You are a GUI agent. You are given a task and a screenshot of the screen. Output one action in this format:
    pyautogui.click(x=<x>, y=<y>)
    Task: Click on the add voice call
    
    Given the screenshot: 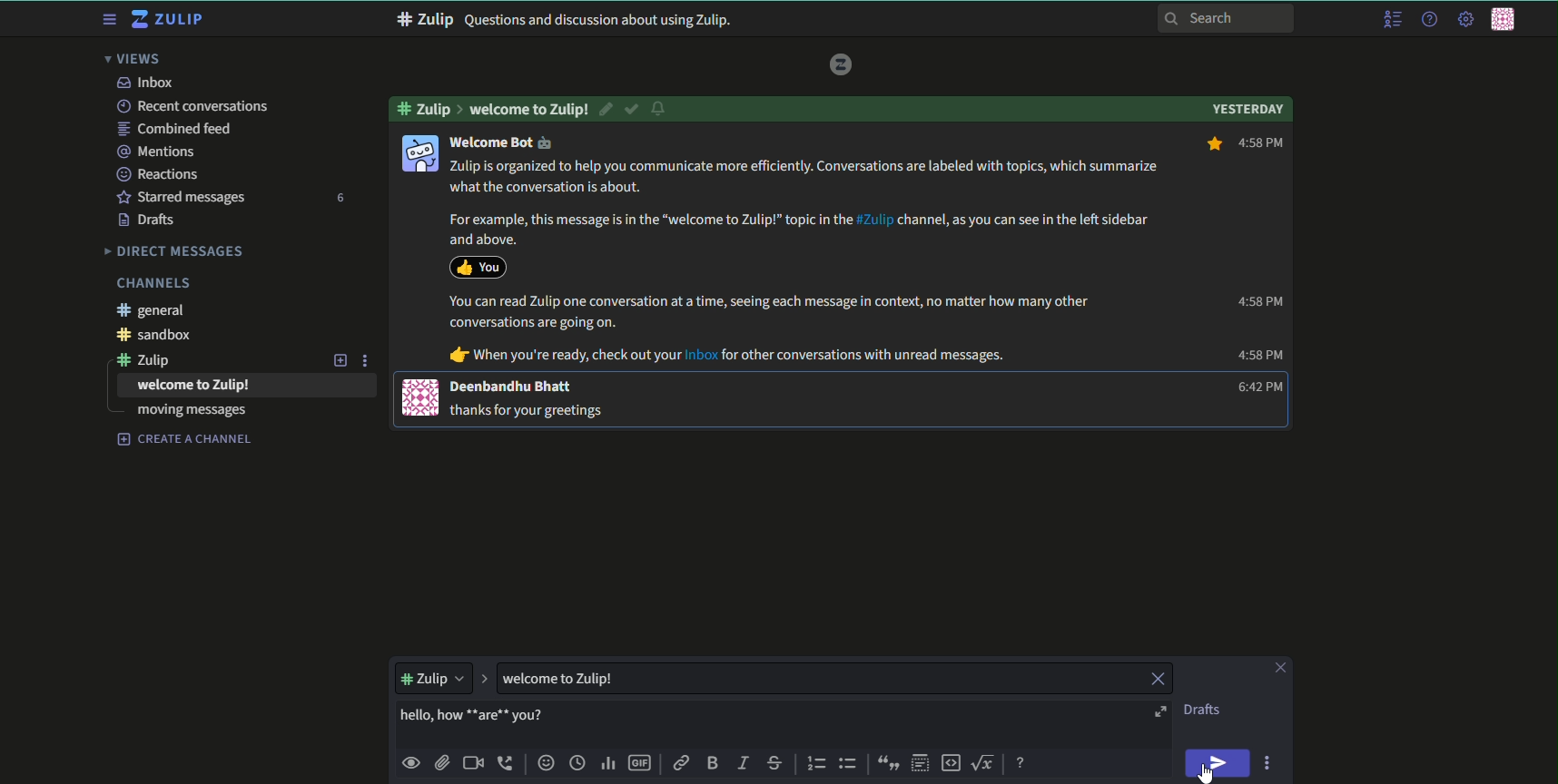 What is the action you would take?
    pyautogui.click(x=507, y=763)
    